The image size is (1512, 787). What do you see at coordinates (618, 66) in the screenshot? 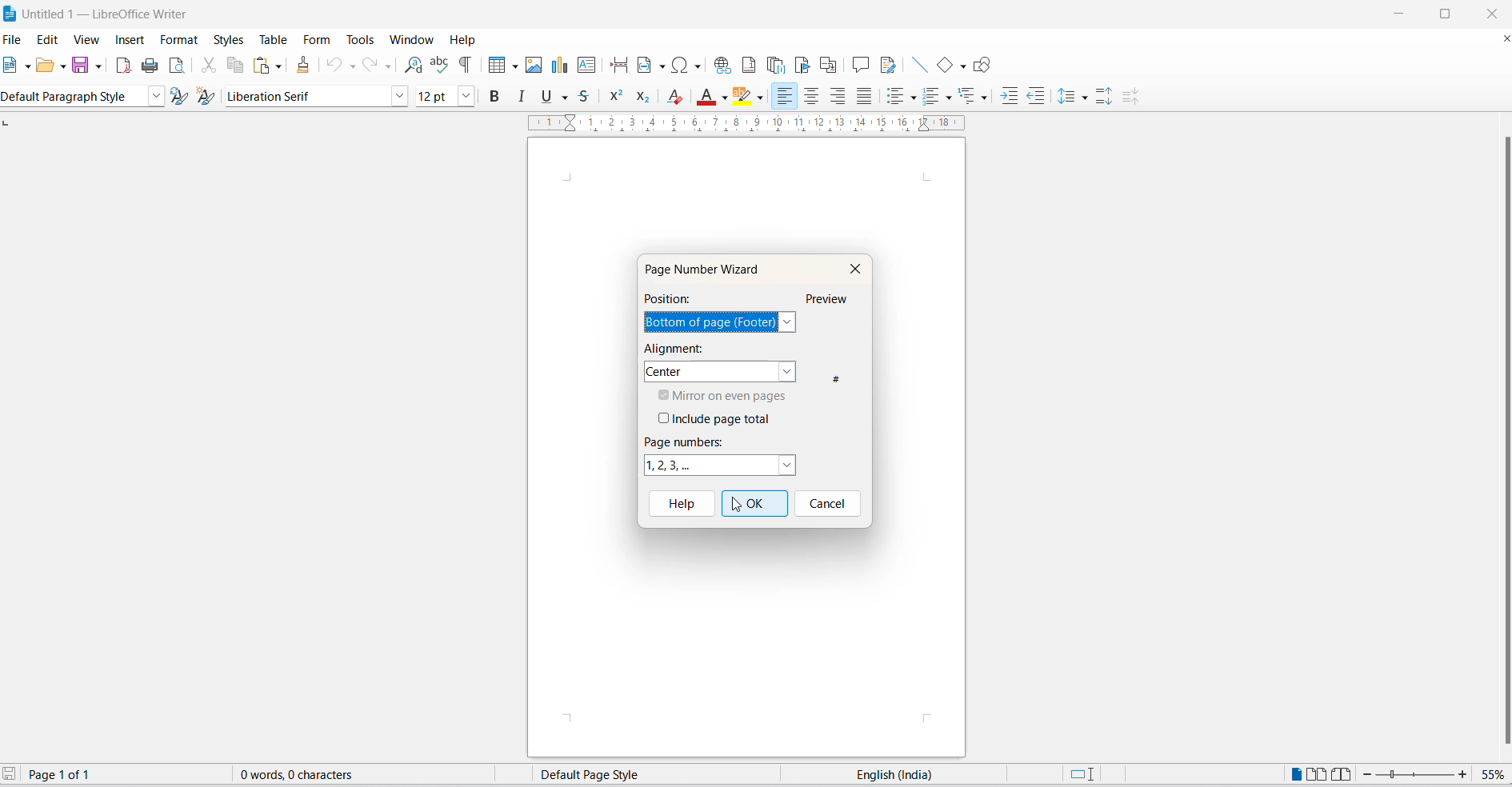
I see `page break` at bounding box center [618, 66].